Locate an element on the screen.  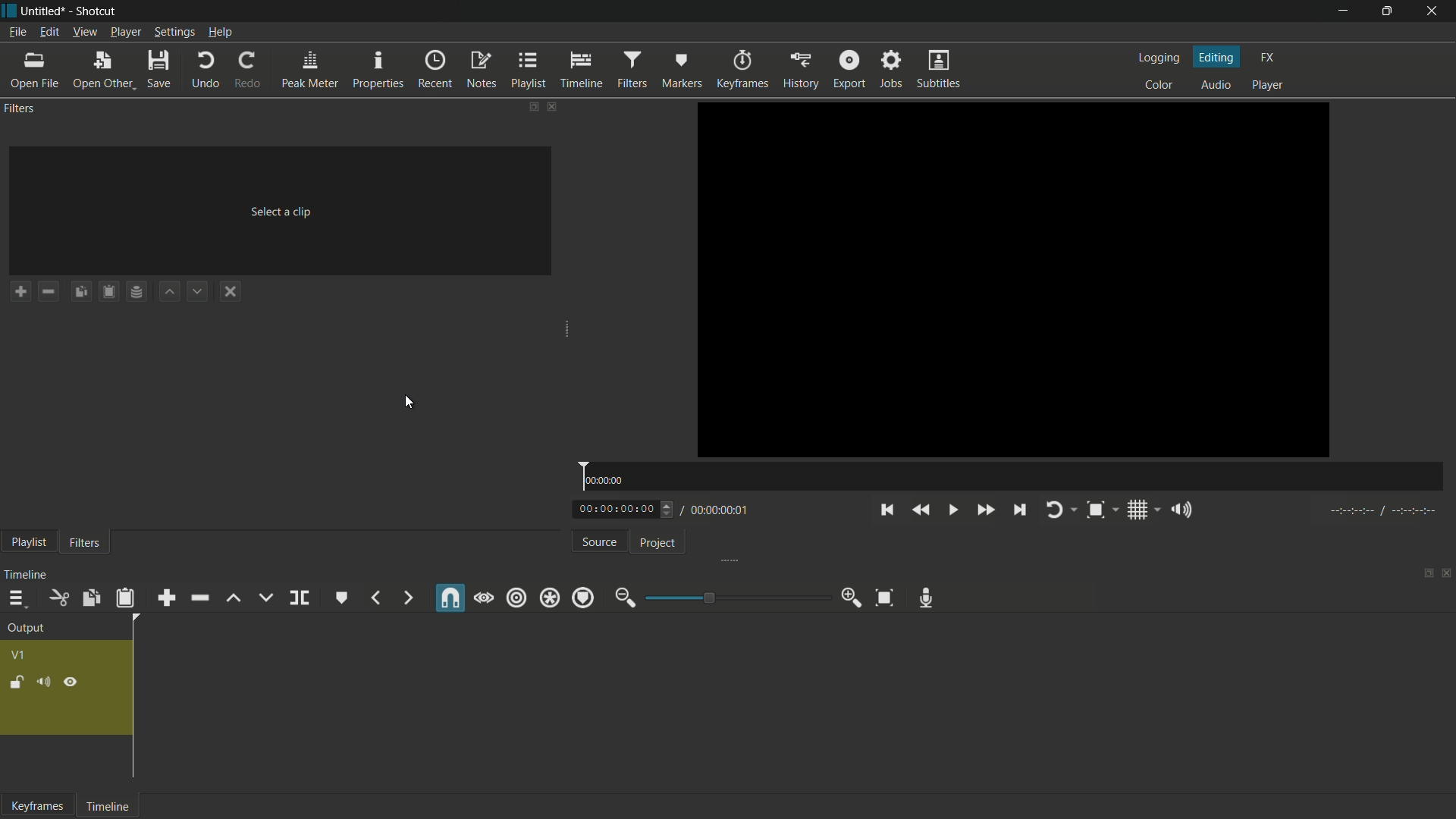
move out is located at coordinates (625, 598).